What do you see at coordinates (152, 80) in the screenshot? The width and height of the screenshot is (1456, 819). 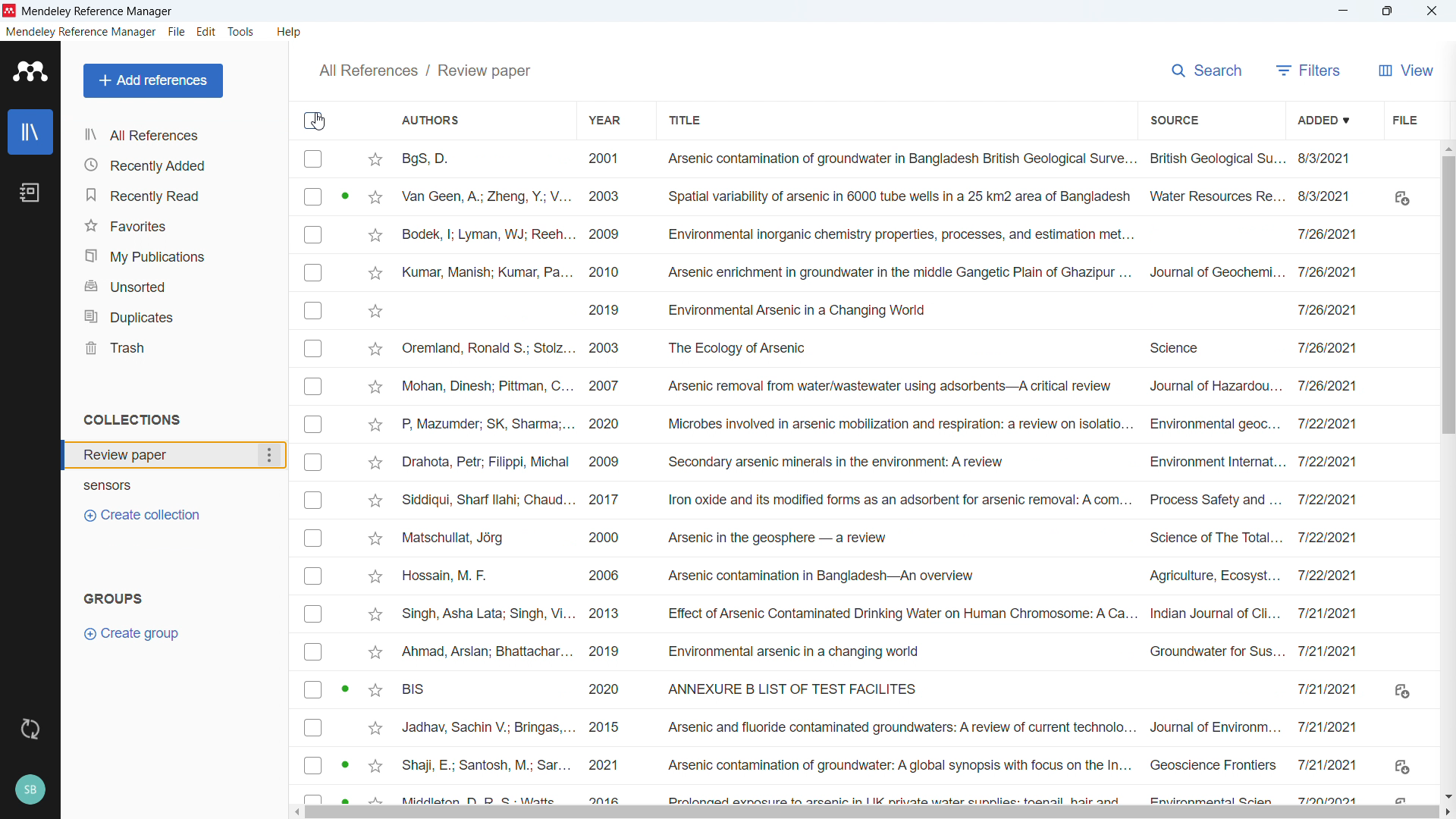 I see `Add references ` at bounding box center [152, 80].